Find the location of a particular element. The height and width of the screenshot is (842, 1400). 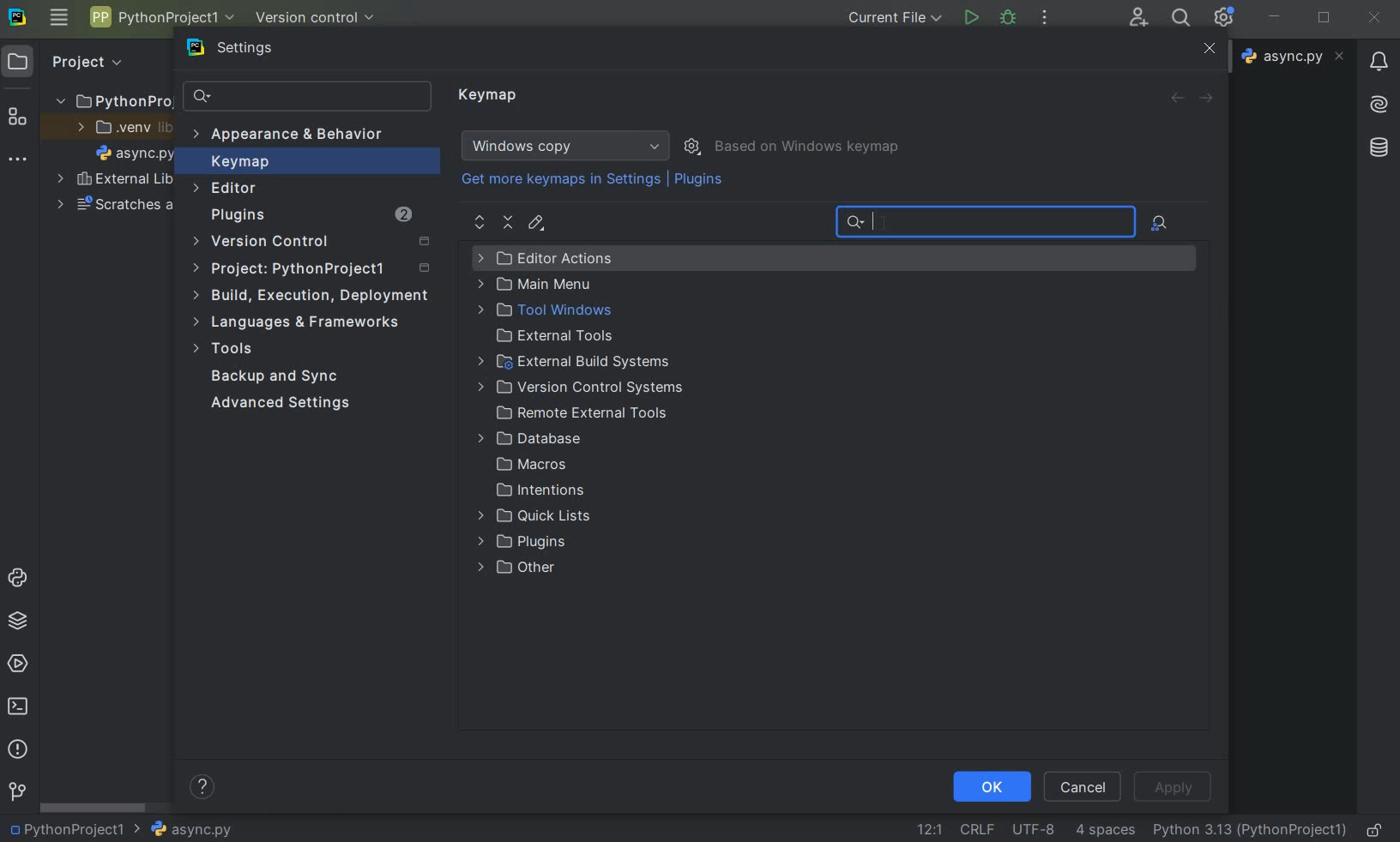

quick lists is located at coordinates (520, 518).